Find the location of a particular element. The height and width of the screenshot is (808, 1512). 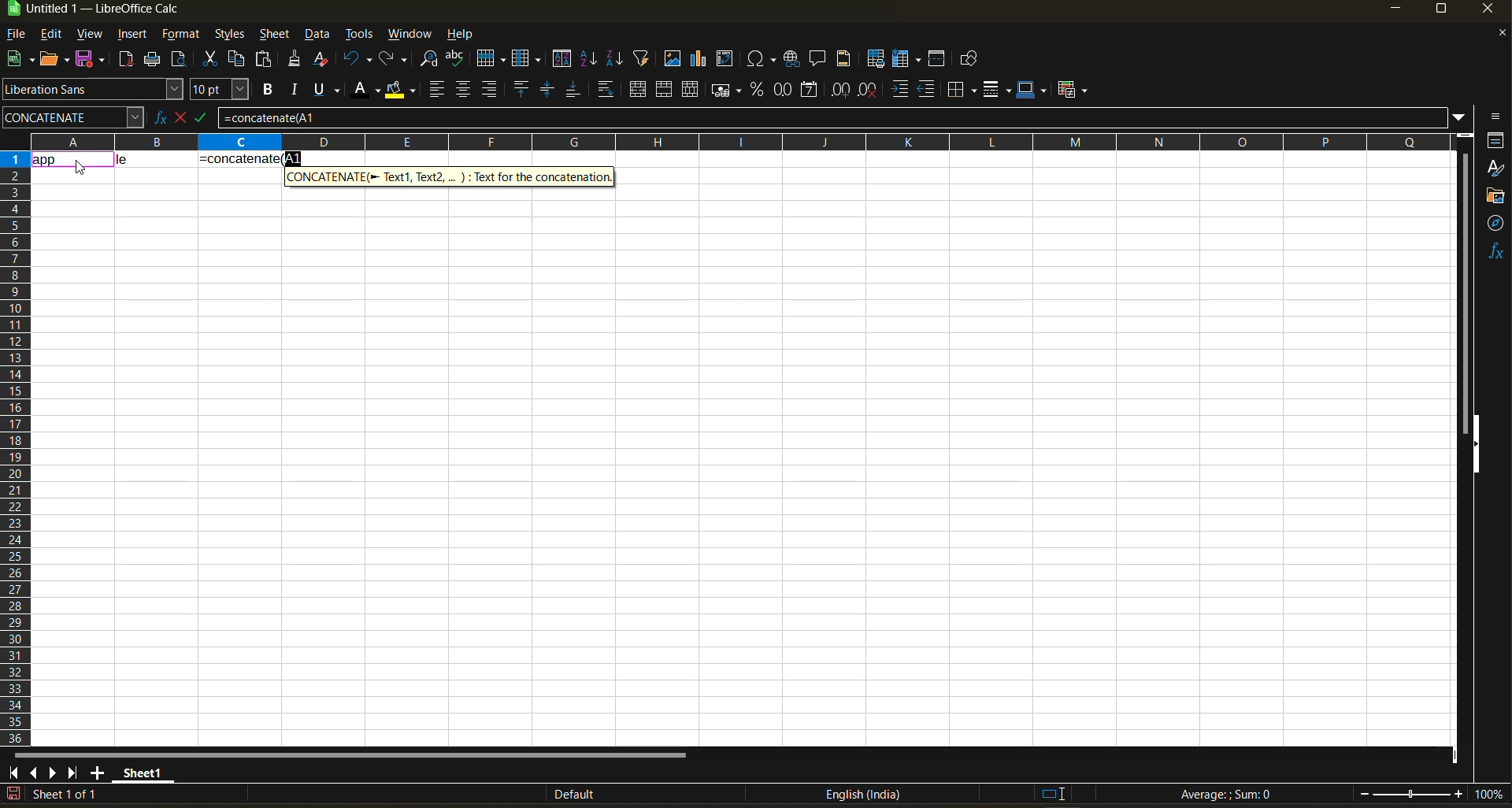

undo is located at coordinates (358, 59).